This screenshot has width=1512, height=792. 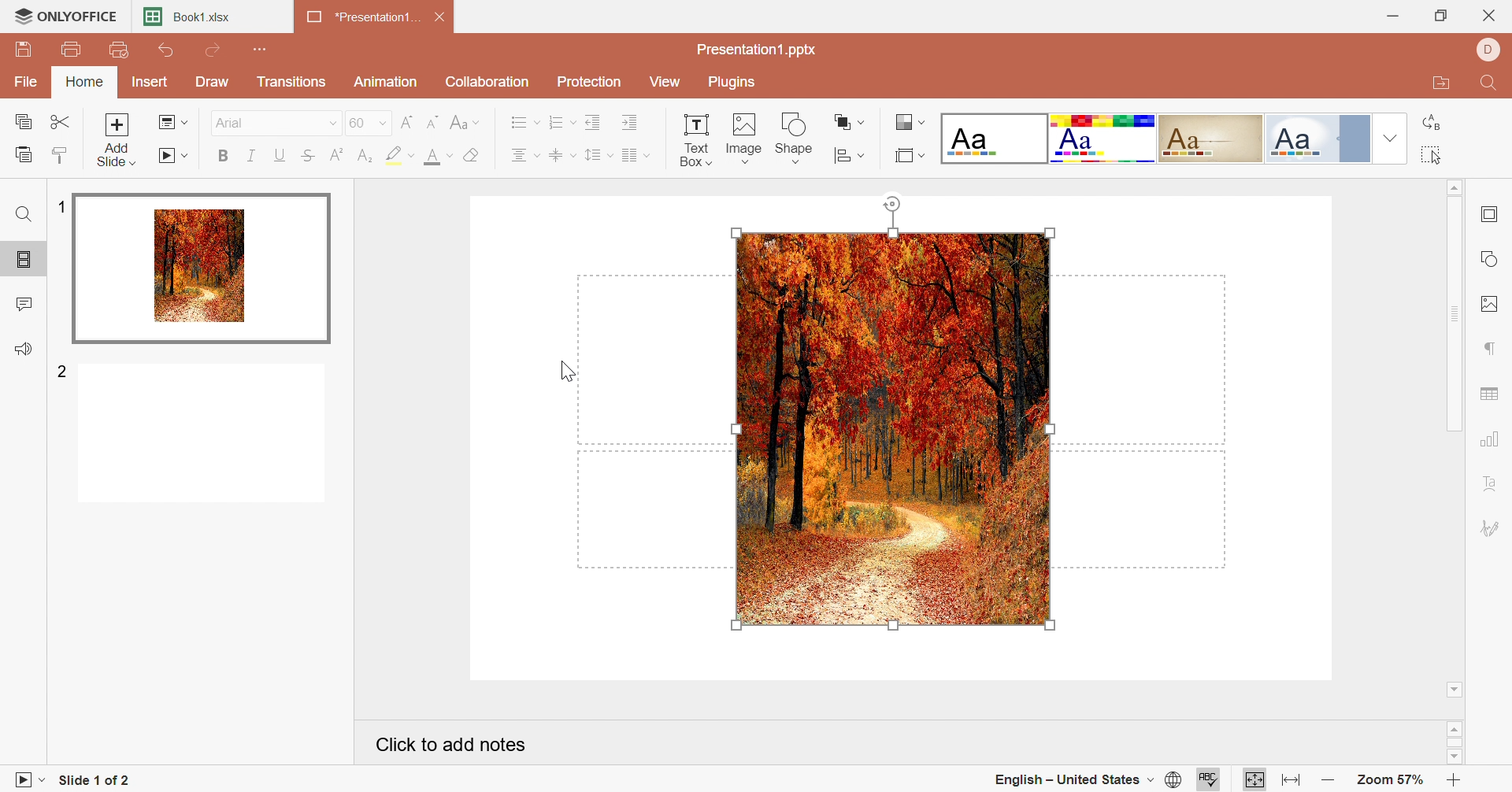 What do you see at coordinates (400, 156) in the screenshot?
I see `Highlight color` at bounding box center [400, 156].